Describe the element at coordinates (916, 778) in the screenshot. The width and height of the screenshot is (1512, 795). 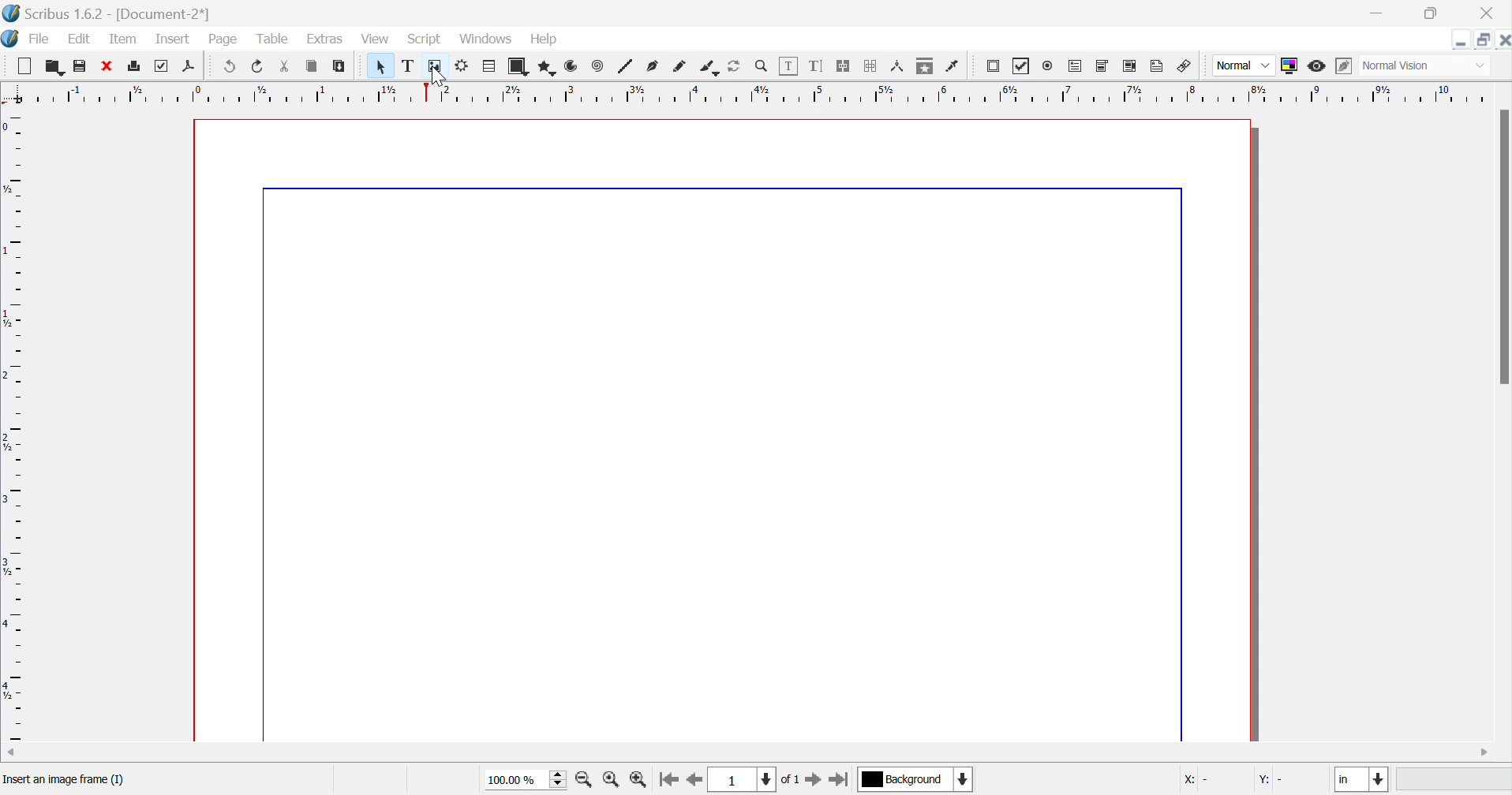
I see `current layer` at that location.